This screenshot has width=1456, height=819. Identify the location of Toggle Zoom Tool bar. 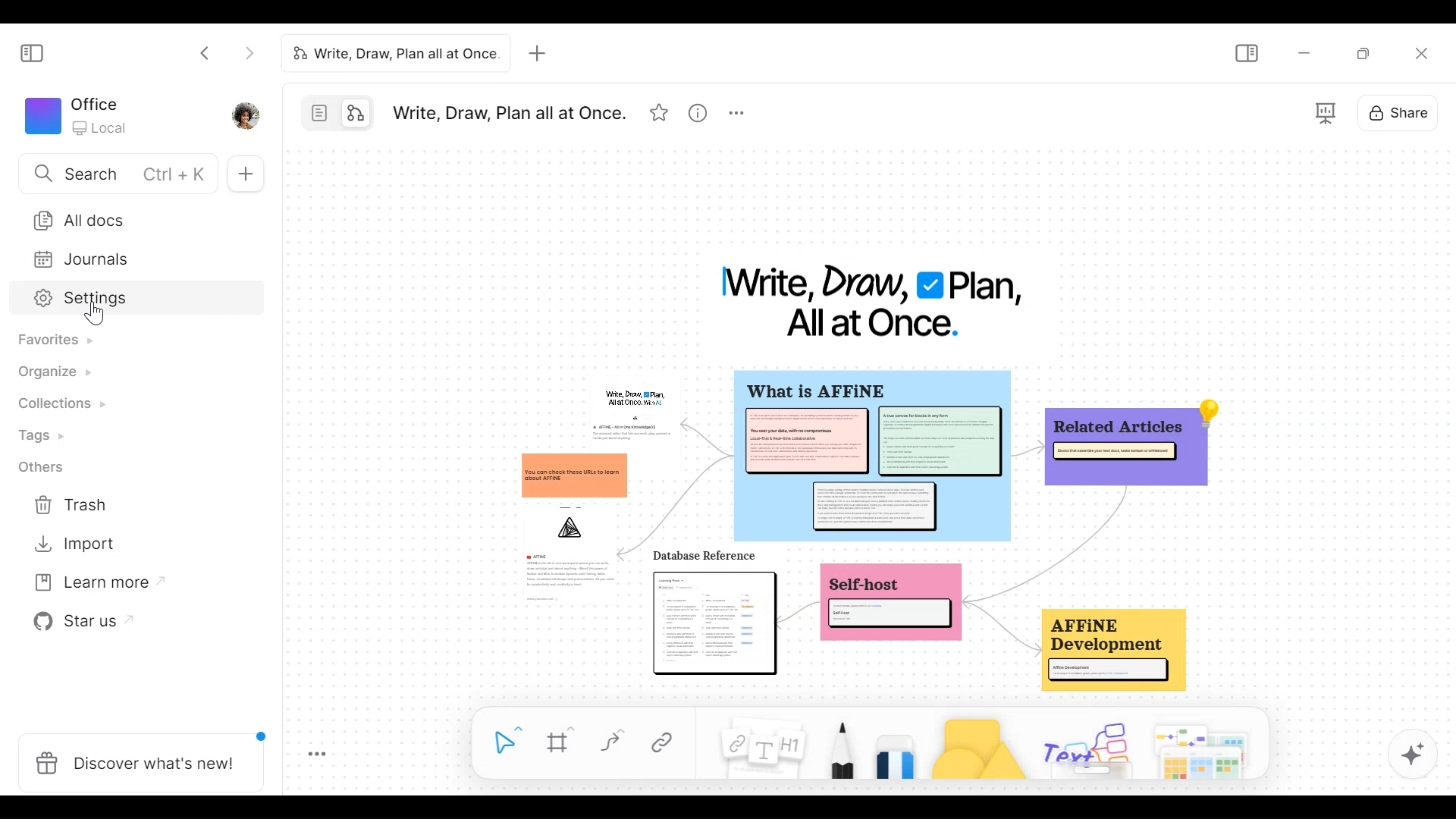
(322, 755).